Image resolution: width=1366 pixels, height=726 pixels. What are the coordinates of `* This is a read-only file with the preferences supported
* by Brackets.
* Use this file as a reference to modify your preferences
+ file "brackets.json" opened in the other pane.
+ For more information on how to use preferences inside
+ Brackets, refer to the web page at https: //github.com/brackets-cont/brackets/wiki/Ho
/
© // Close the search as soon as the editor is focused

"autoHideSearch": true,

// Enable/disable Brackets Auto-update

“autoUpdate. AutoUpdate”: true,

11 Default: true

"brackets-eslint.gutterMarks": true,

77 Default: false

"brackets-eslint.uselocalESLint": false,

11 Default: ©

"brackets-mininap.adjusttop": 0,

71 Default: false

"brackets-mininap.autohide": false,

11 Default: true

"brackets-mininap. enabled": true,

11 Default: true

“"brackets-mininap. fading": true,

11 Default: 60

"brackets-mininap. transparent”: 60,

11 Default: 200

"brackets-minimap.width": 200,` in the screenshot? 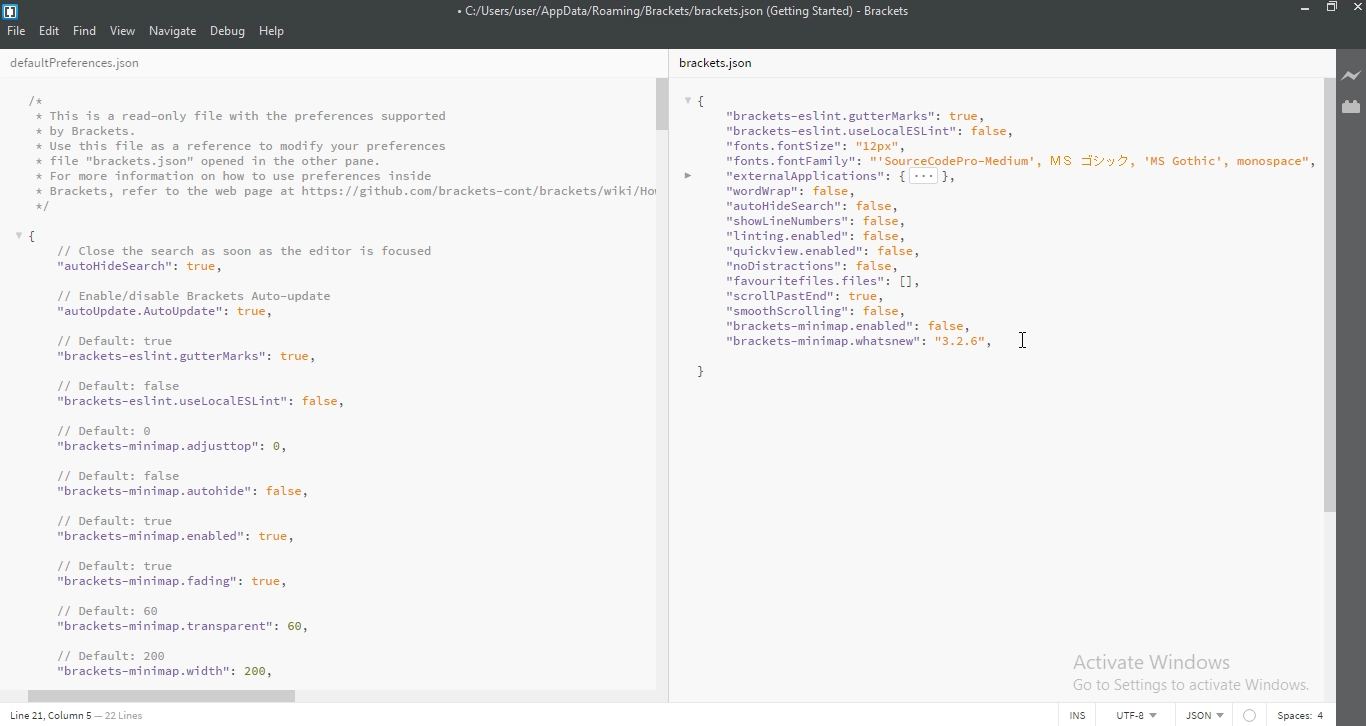 It's located at (338, 380).